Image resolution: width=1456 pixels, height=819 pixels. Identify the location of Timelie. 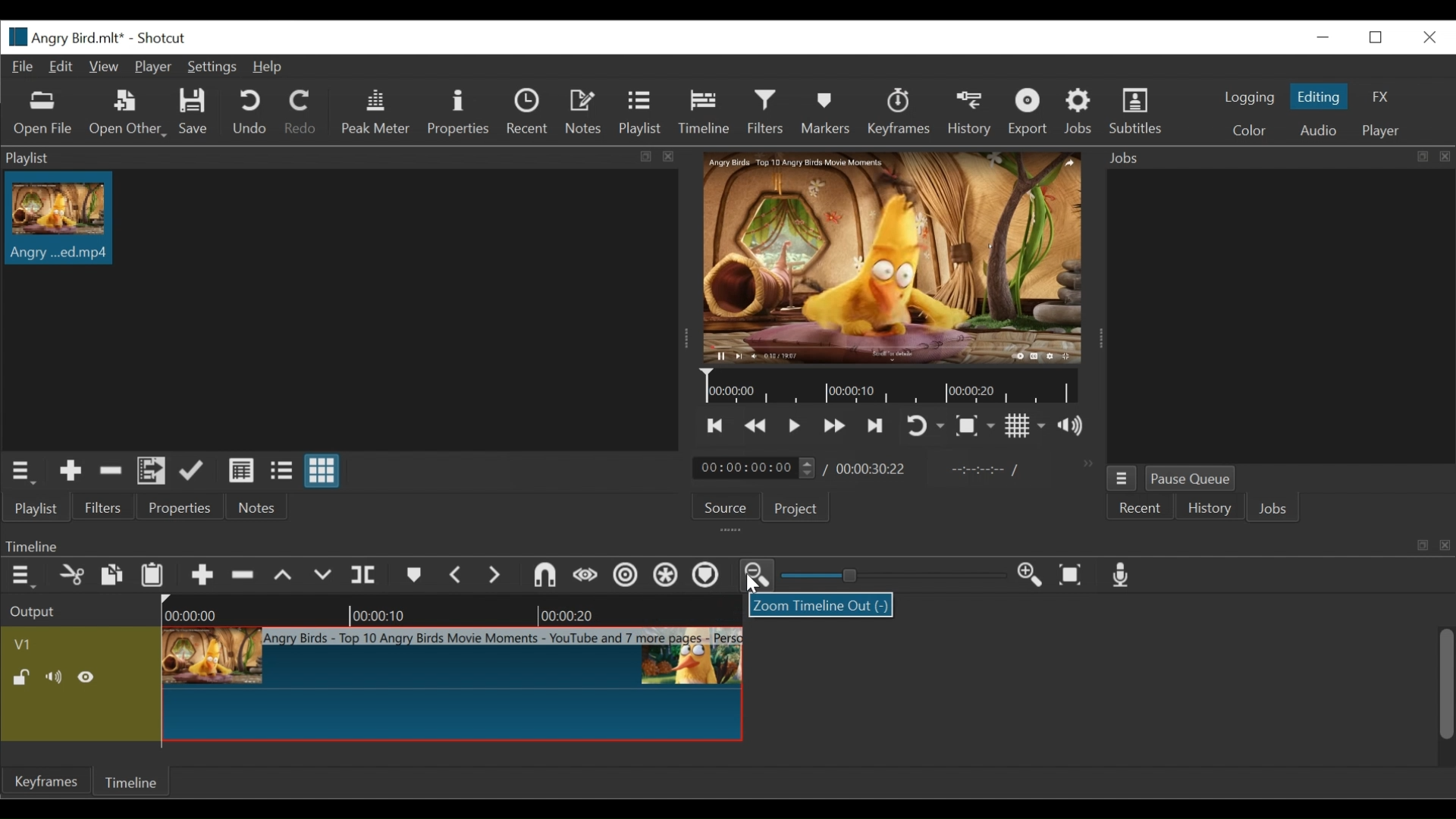
(130, 784).